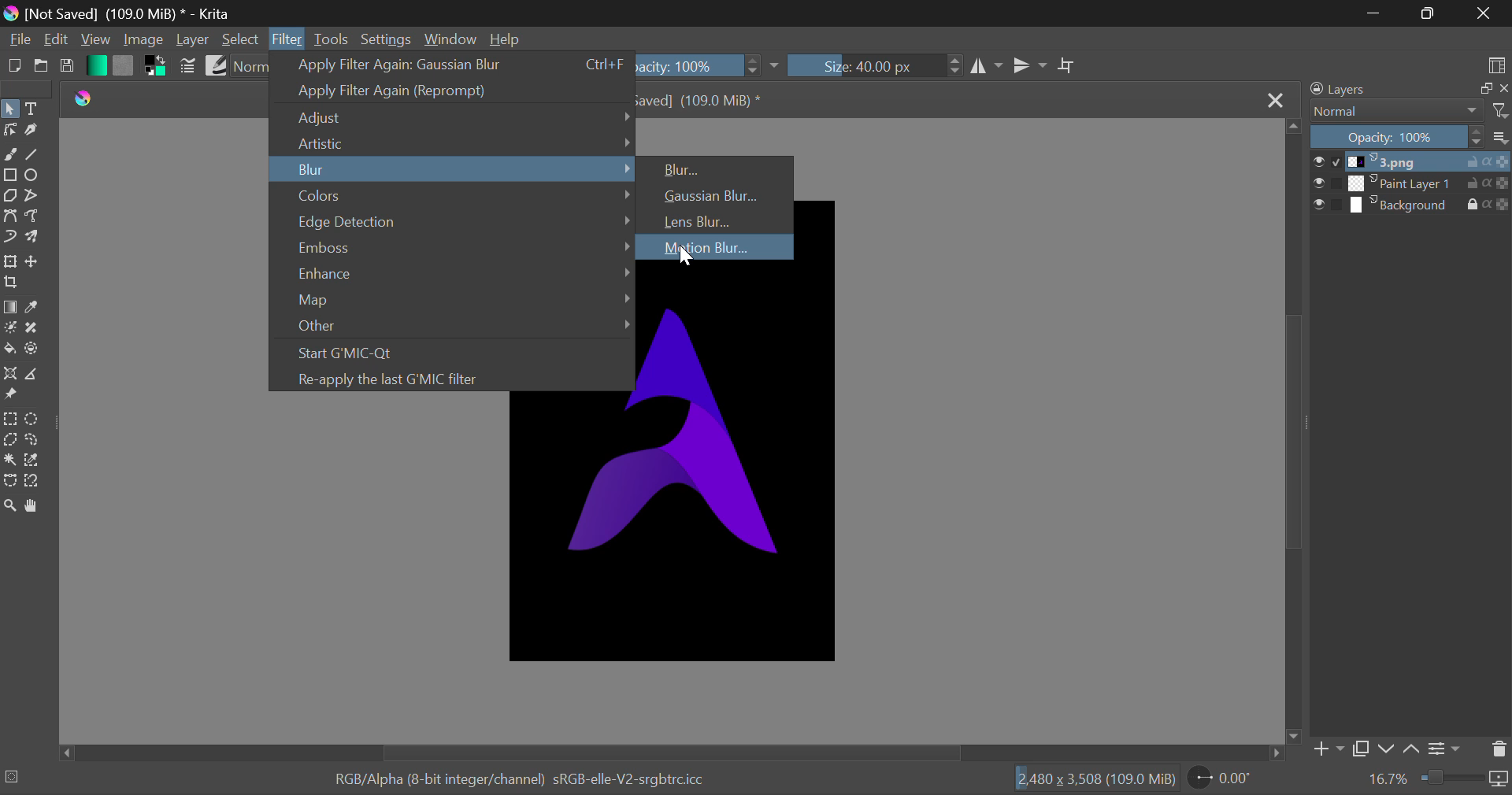 This screenshot has width=1512, height=795. I want to click on Opacity 100%, so click(1412, 138).